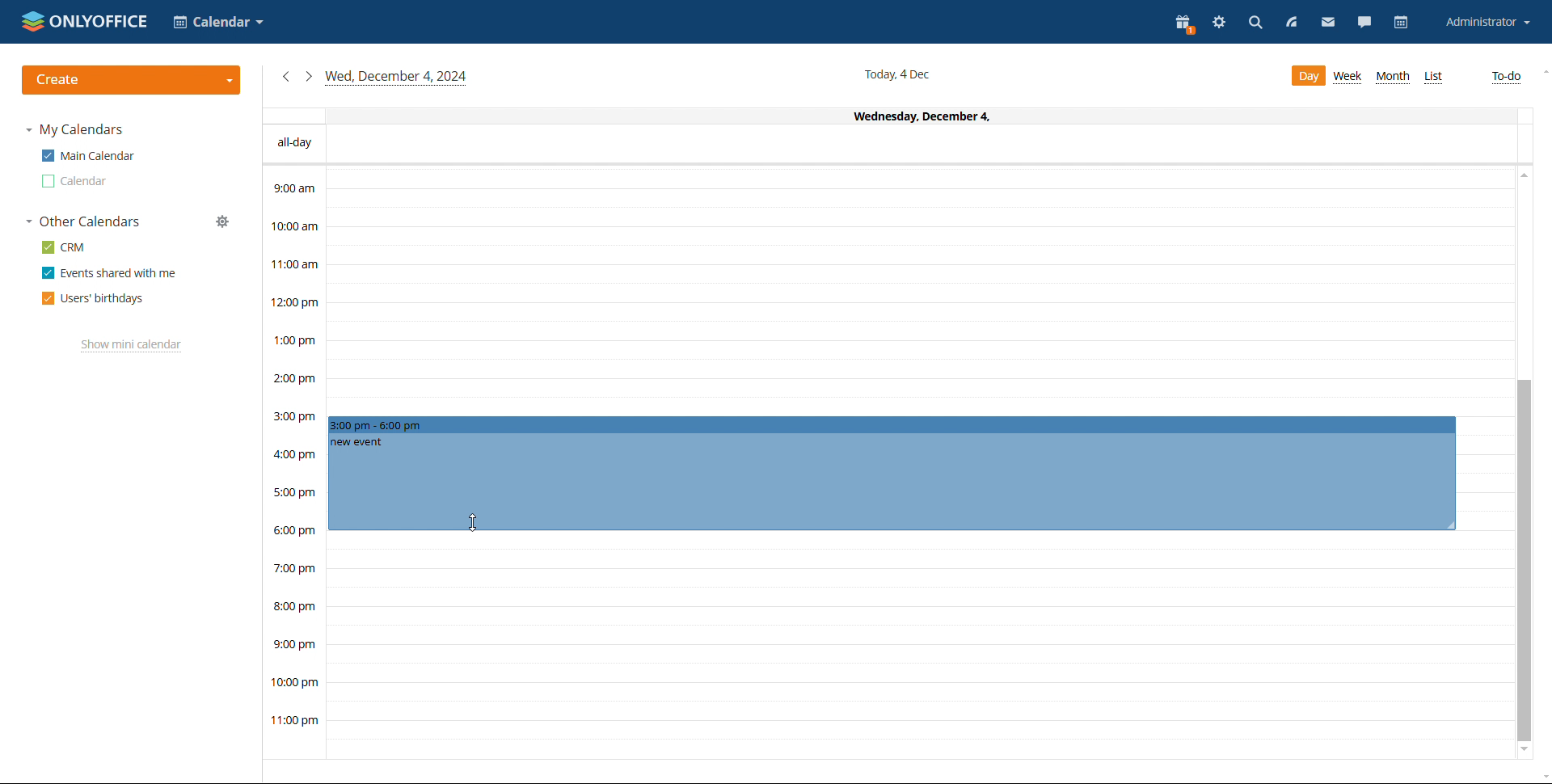  I want to click on mail, so click(1326, 22).